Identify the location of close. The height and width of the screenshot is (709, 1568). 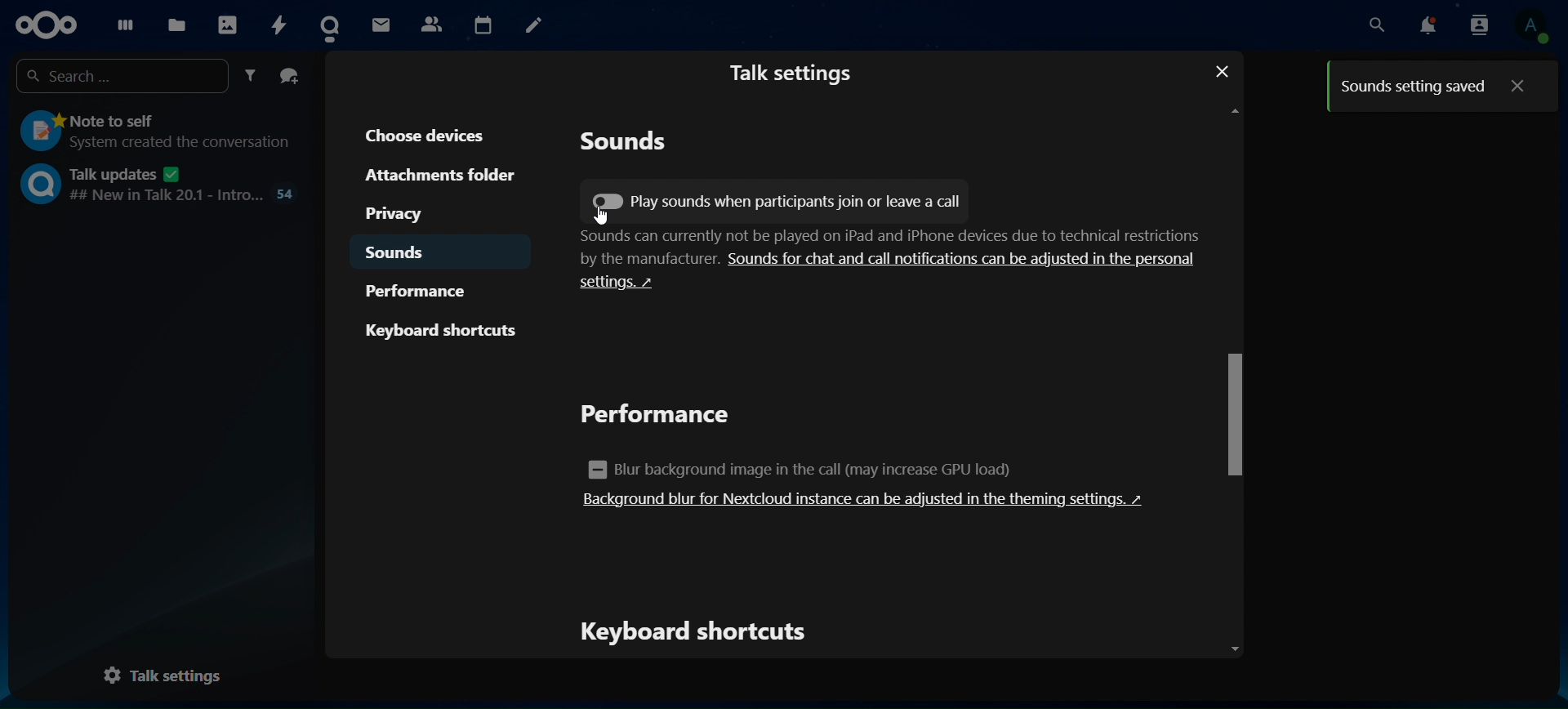
(1517, 87).